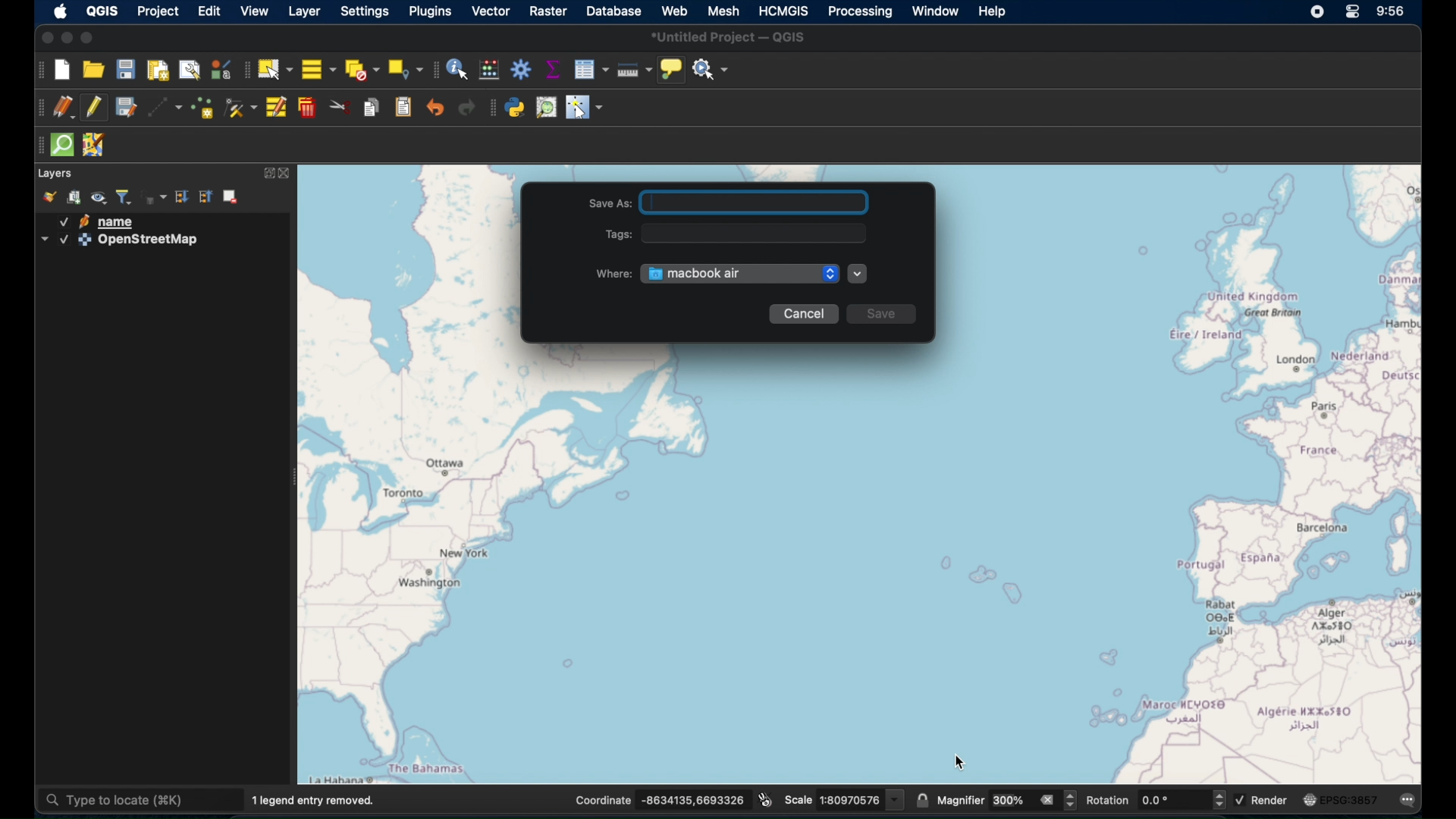 This screenshot has width=1456, height=819. Describe the element at coordinates (77, 197) in the screenshot. I see `add group` at that location.